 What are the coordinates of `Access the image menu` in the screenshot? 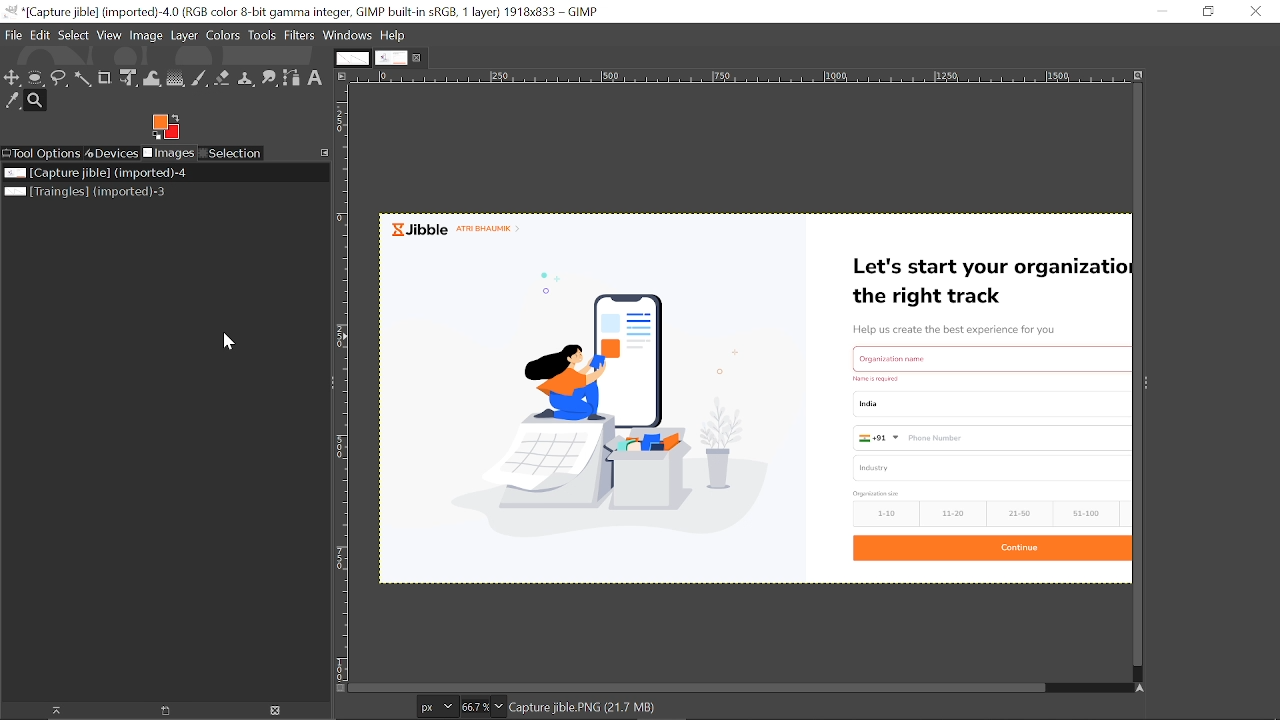 It's located at (342, 76).